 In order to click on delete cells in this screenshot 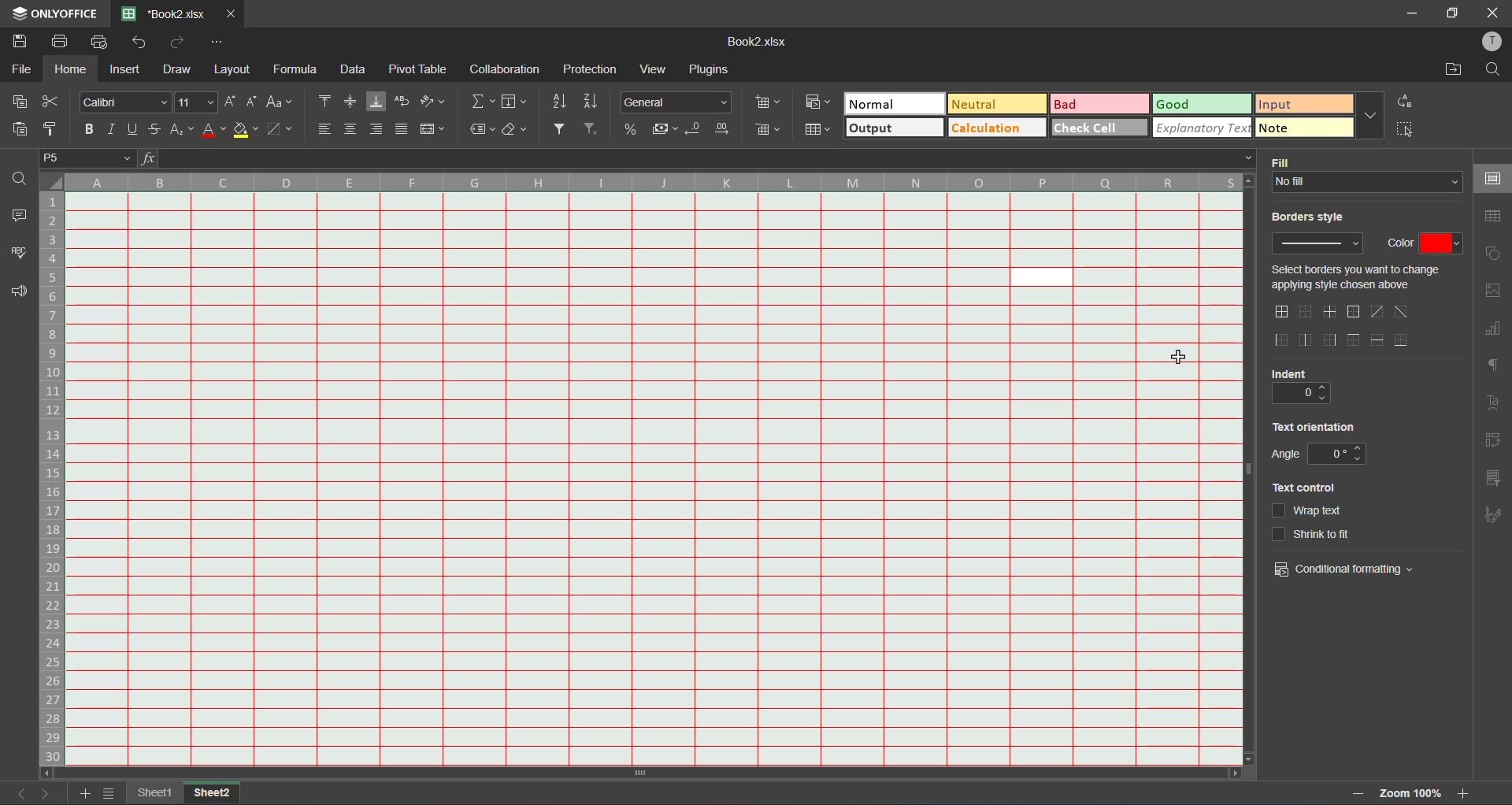, I will do `click(764, 132)`.